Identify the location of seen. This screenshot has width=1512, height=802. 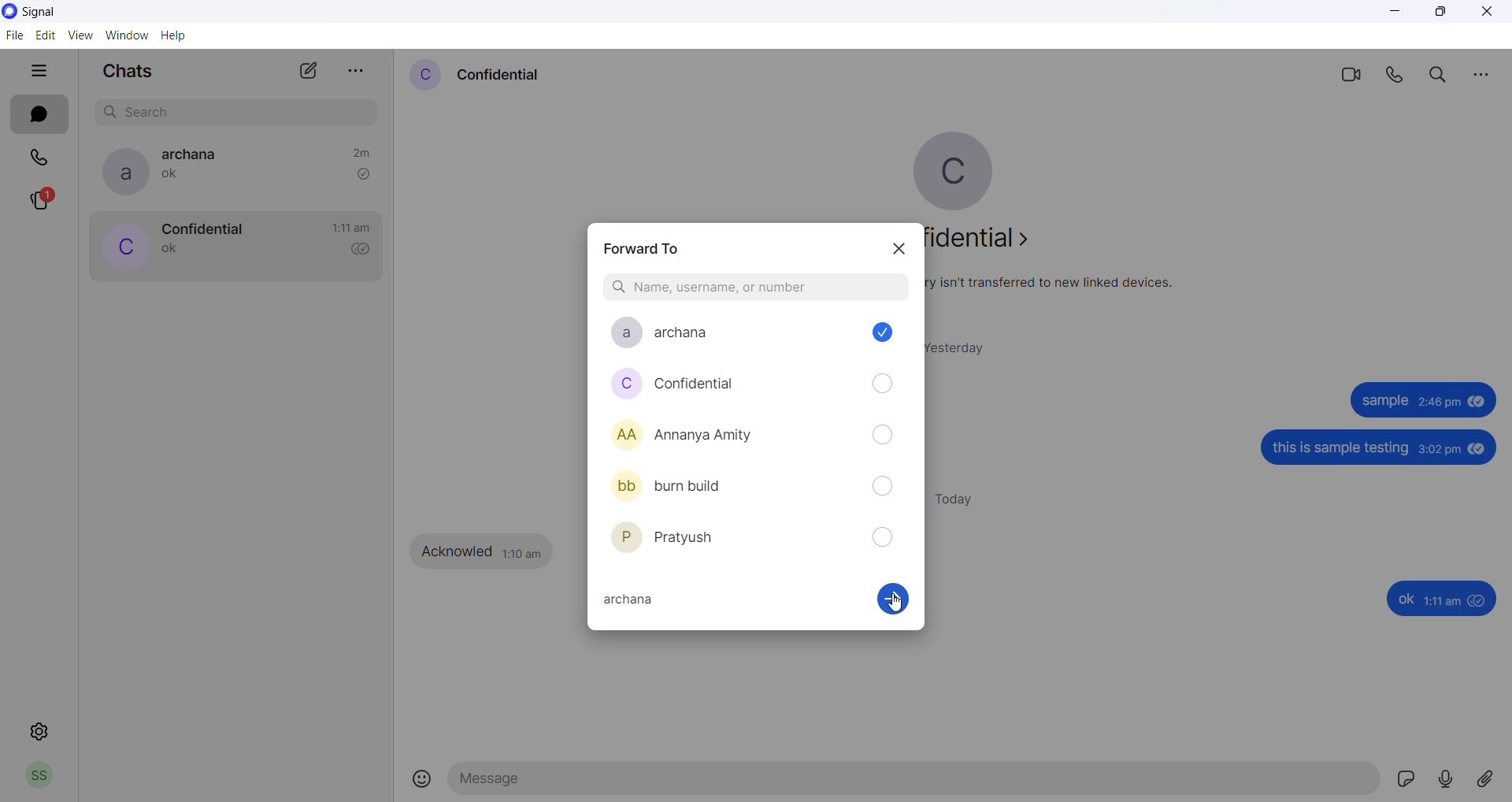
(1479, 449).